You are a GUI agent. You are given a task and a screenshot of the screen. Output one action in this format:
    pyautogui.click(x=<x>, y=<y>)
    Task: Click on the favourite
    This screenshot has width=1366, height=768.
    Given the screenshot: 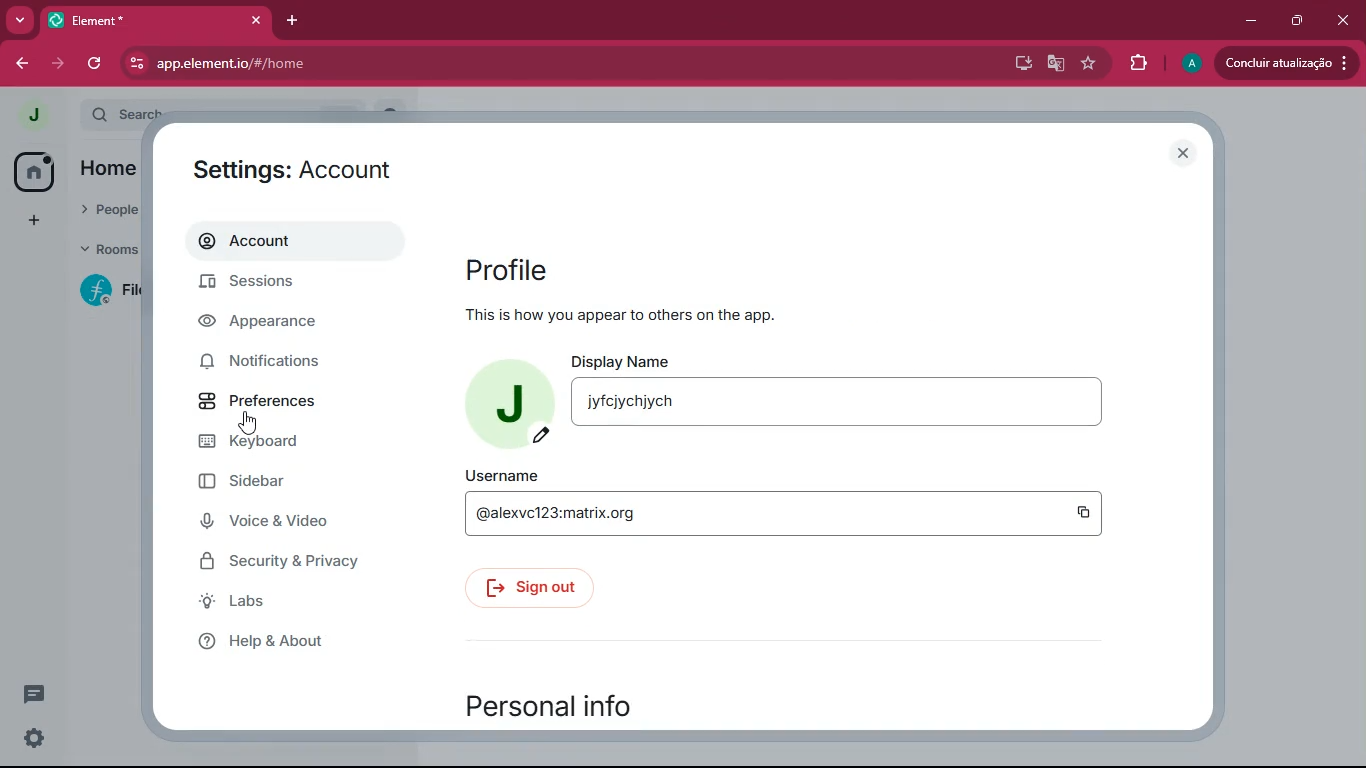 What is the action you would take?
    pyautogui.click(x=1088, y=65)
    